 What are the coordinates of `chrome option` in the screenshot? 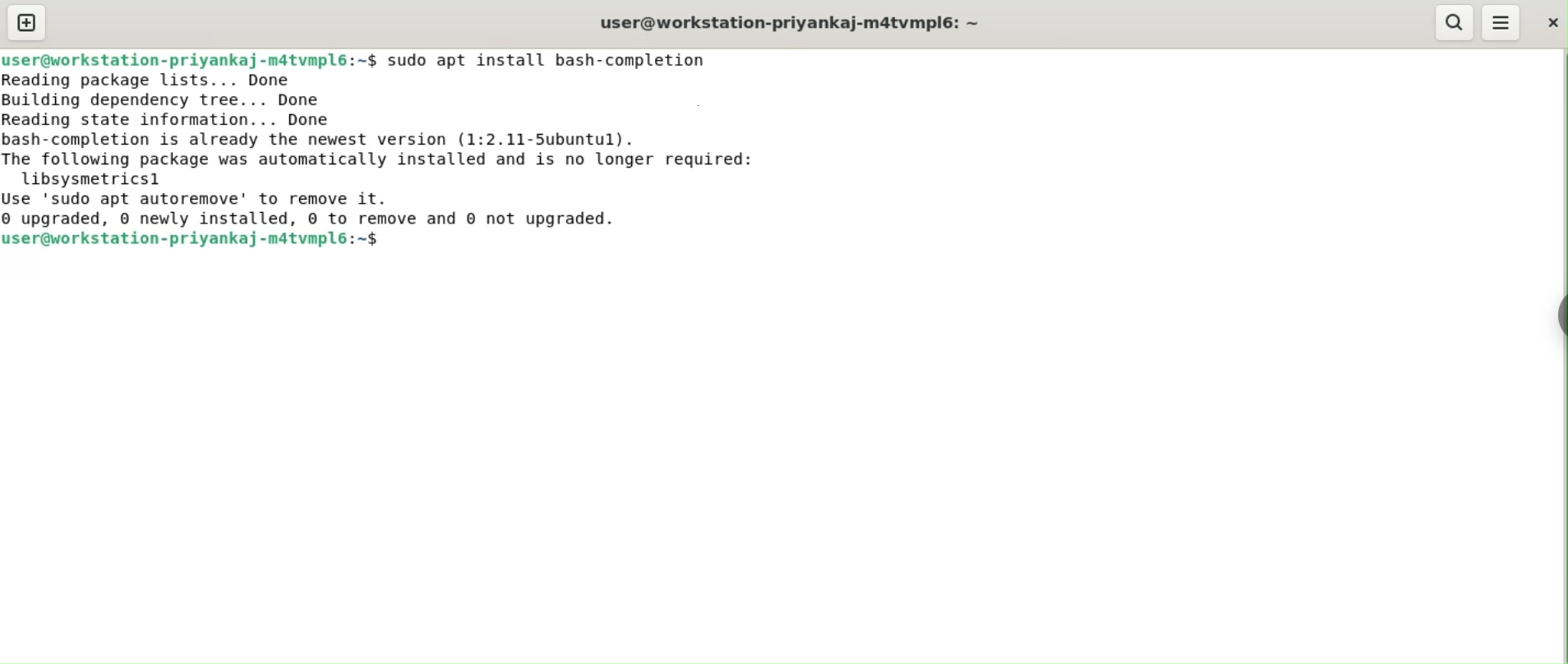 It's located at (1558, 307).